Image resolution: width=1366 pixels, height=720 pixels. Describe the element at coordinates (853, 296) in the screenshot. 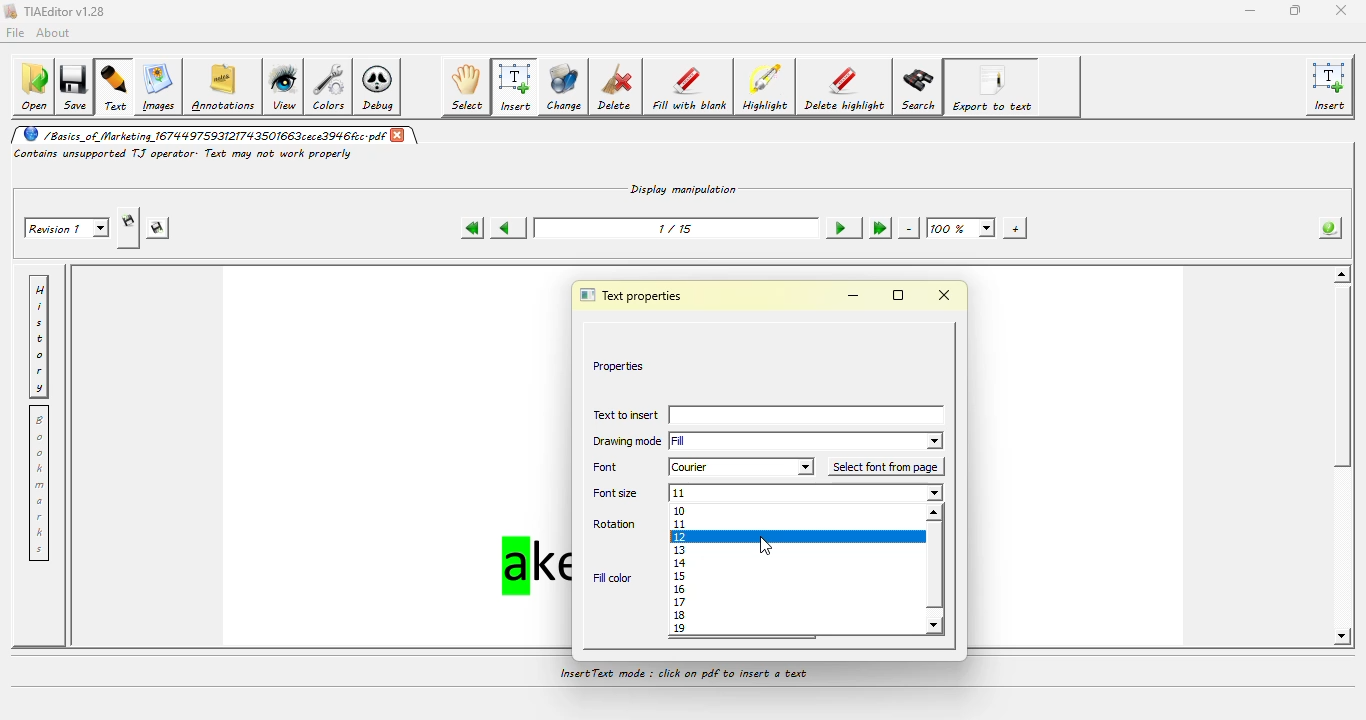

I see `minimize` at that location.